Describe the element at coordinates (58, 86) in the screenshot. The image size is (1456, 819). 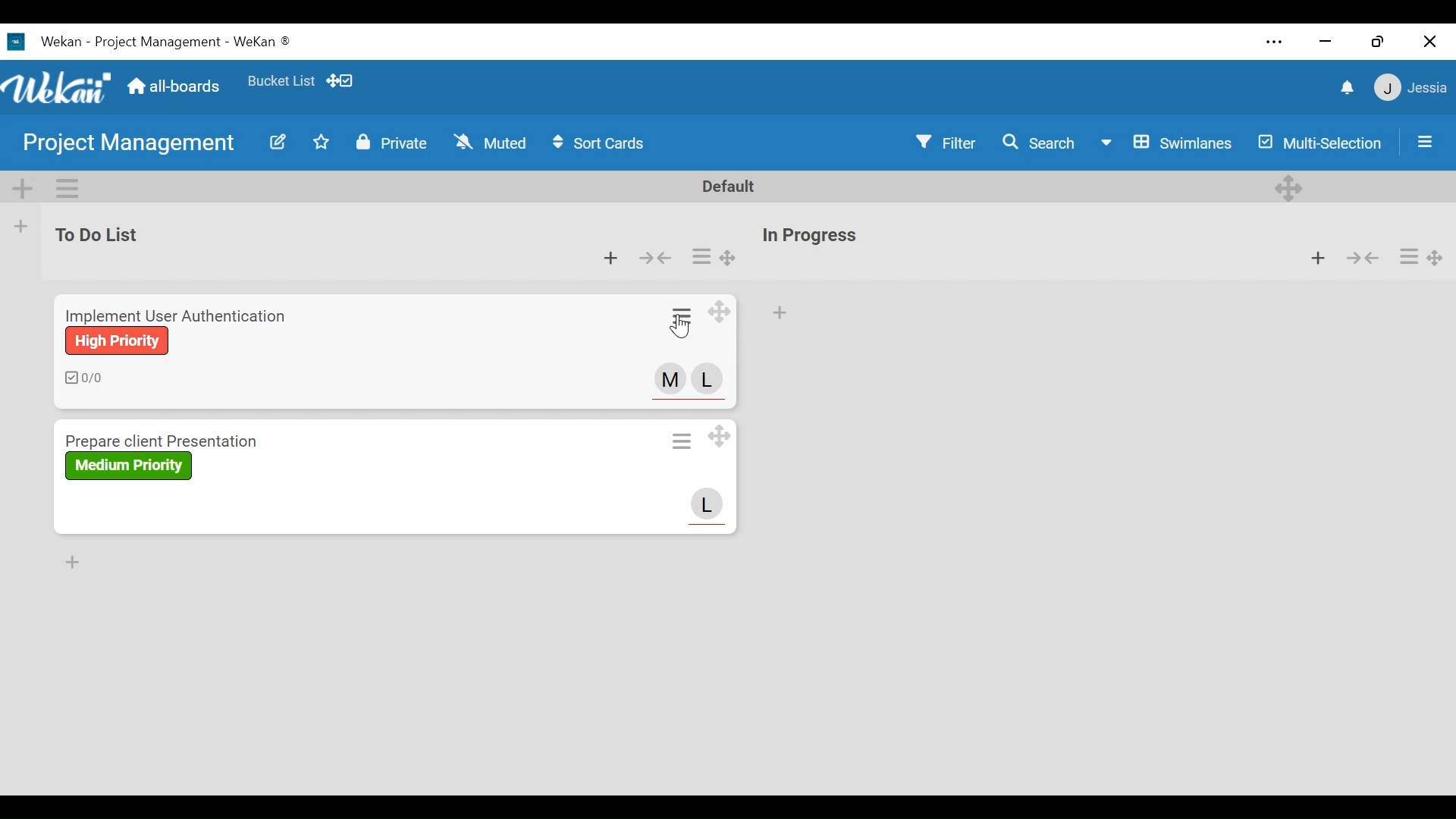
I see `Wekan logo` at that location.